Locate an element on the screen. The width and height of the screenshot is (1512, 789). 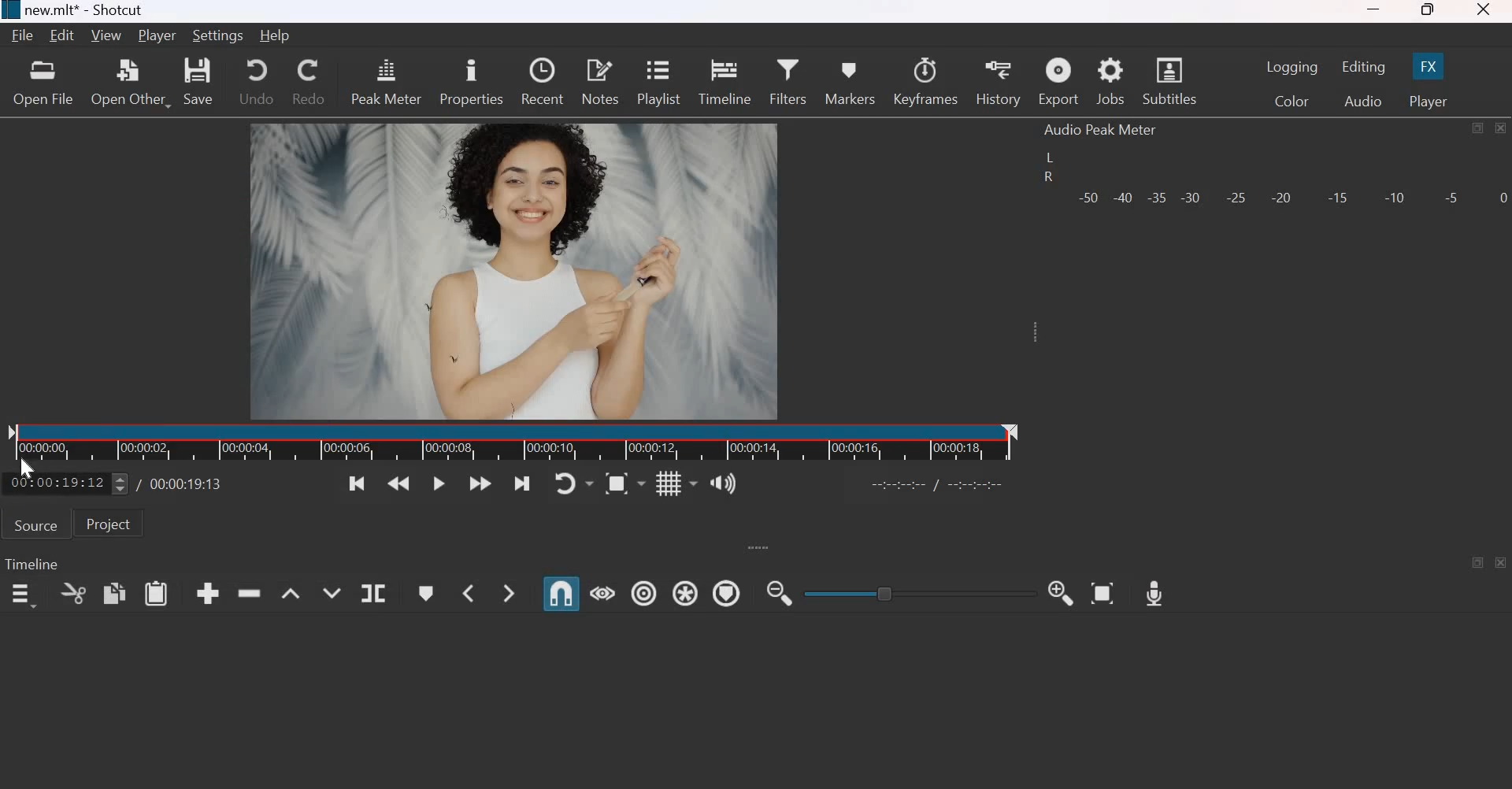
Snap is located at coordinates (561, 594).